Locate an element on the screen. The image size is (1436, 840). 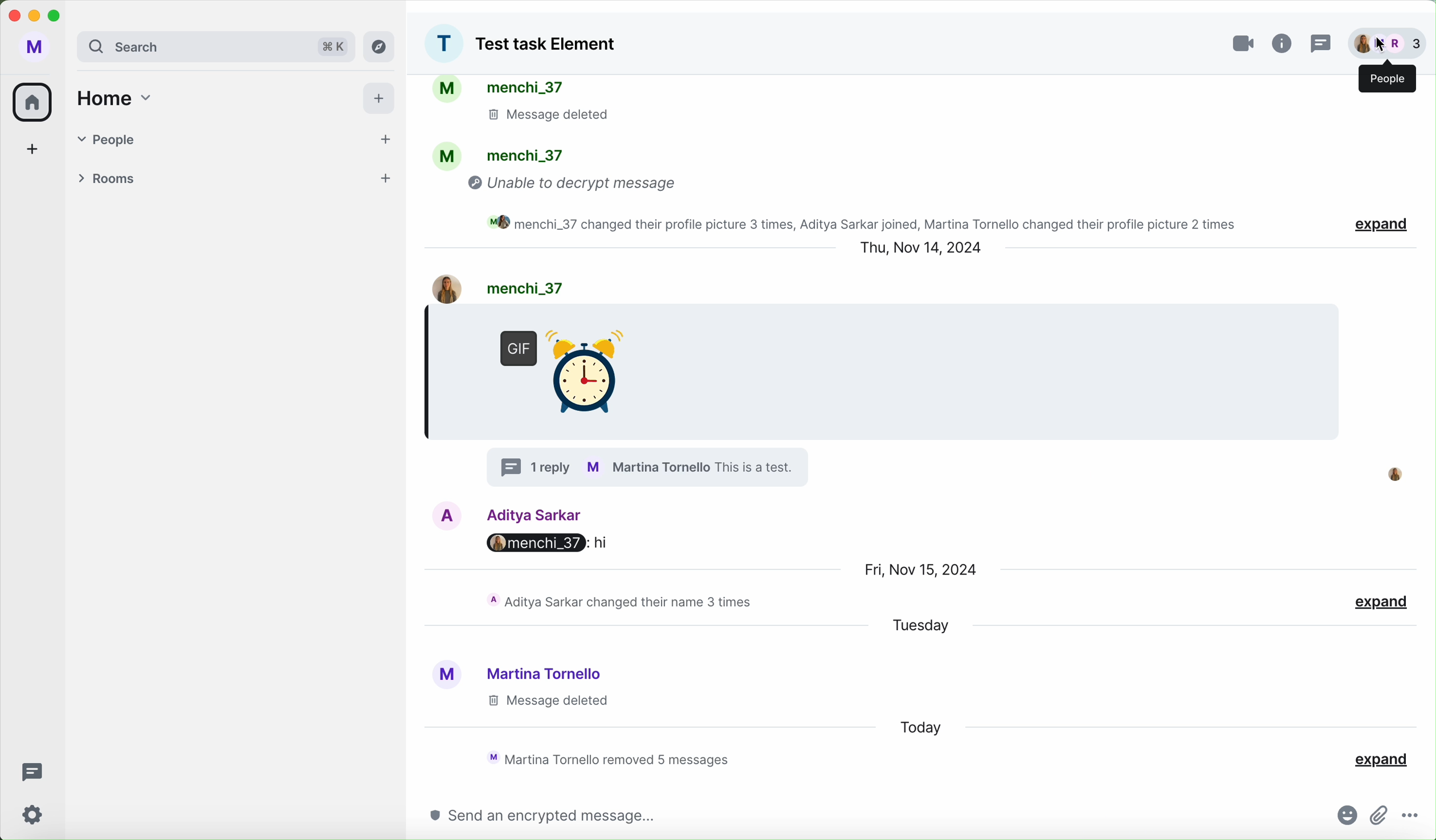
hi is located at coordinates (605, 545).